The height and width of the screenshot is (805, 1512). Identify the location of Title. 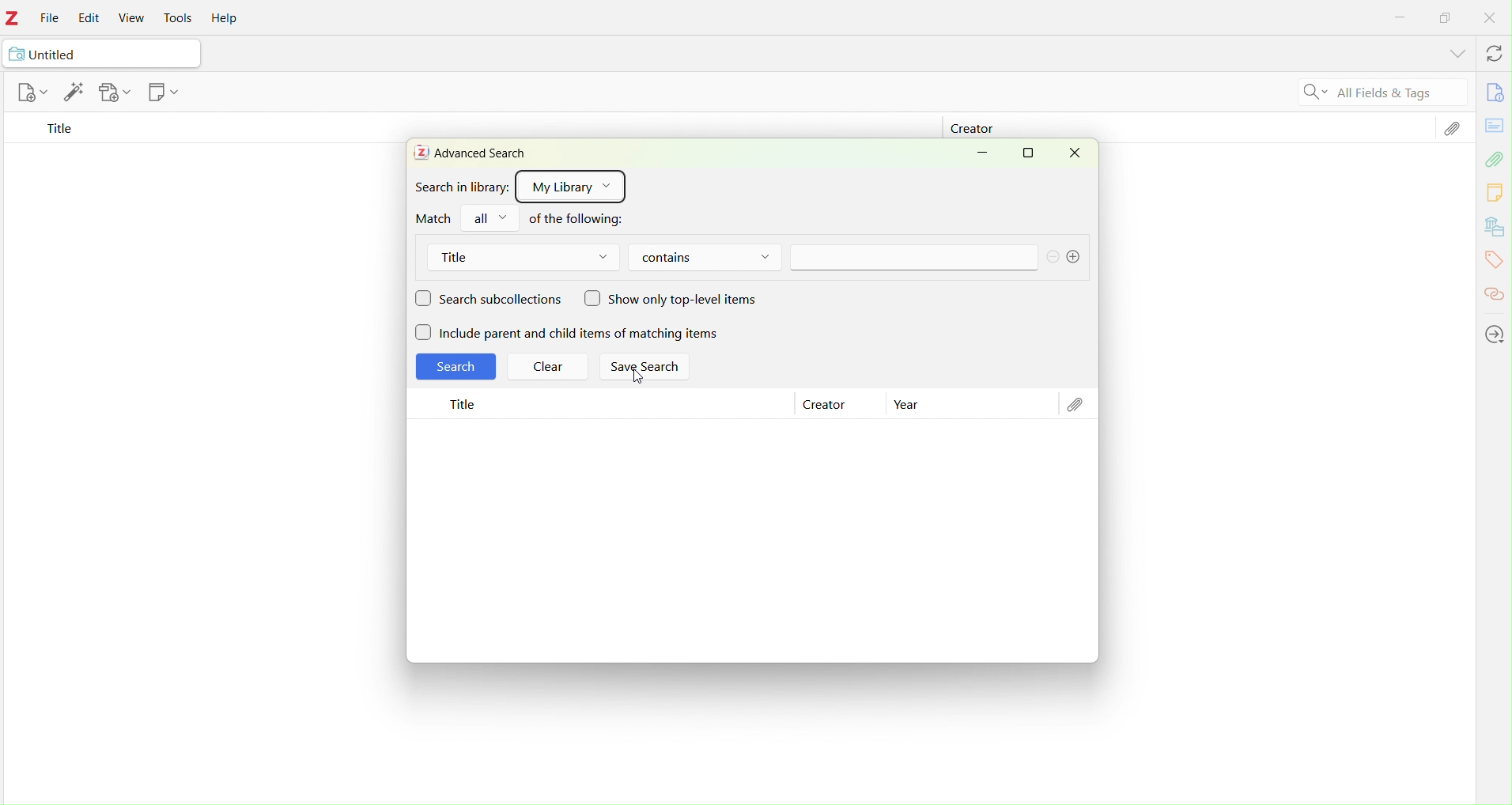
(527, 258).